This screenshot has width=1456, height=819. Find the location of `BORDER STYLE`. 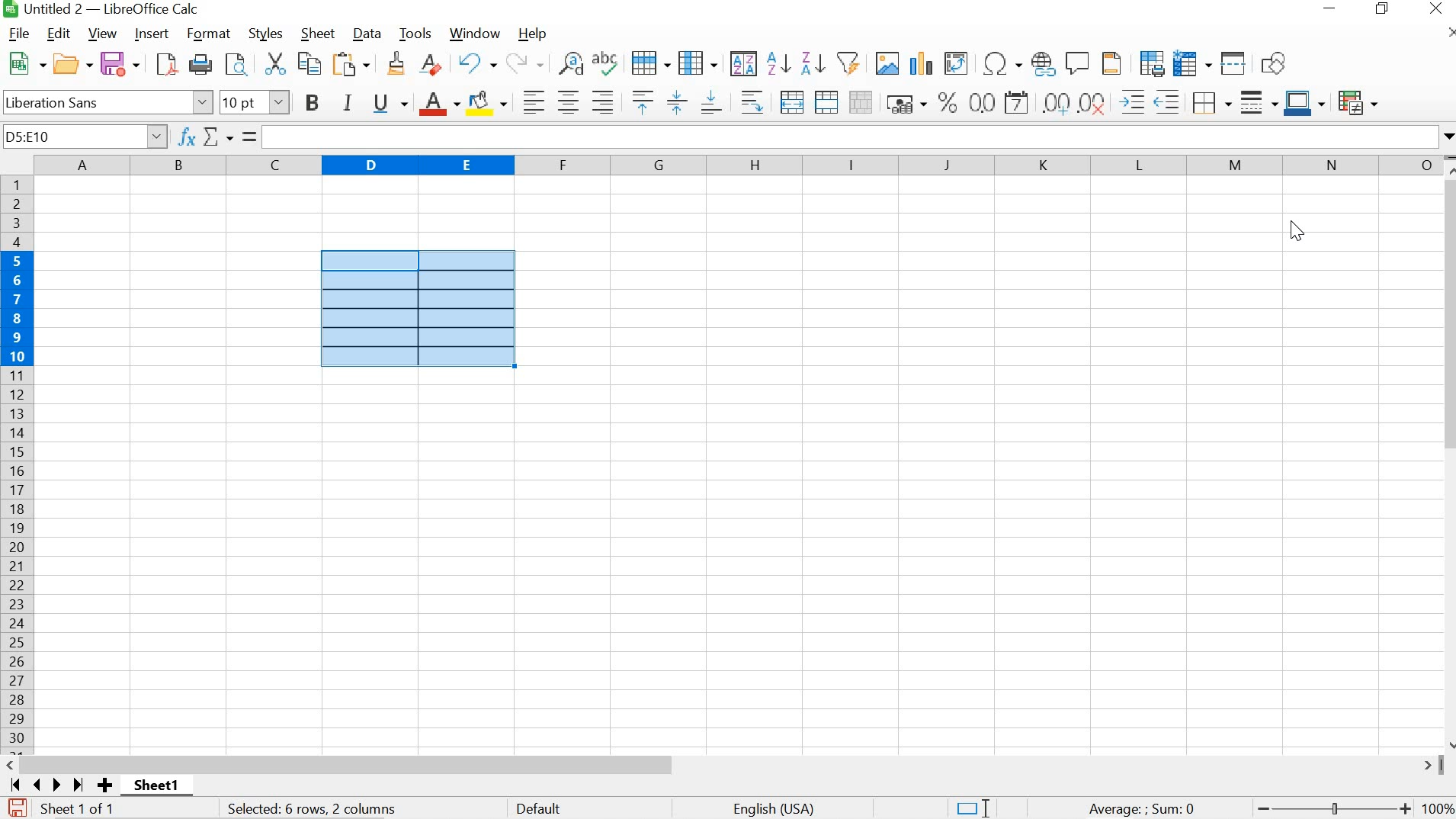

BORDER STYLE is located at coordinates (1259, 104).